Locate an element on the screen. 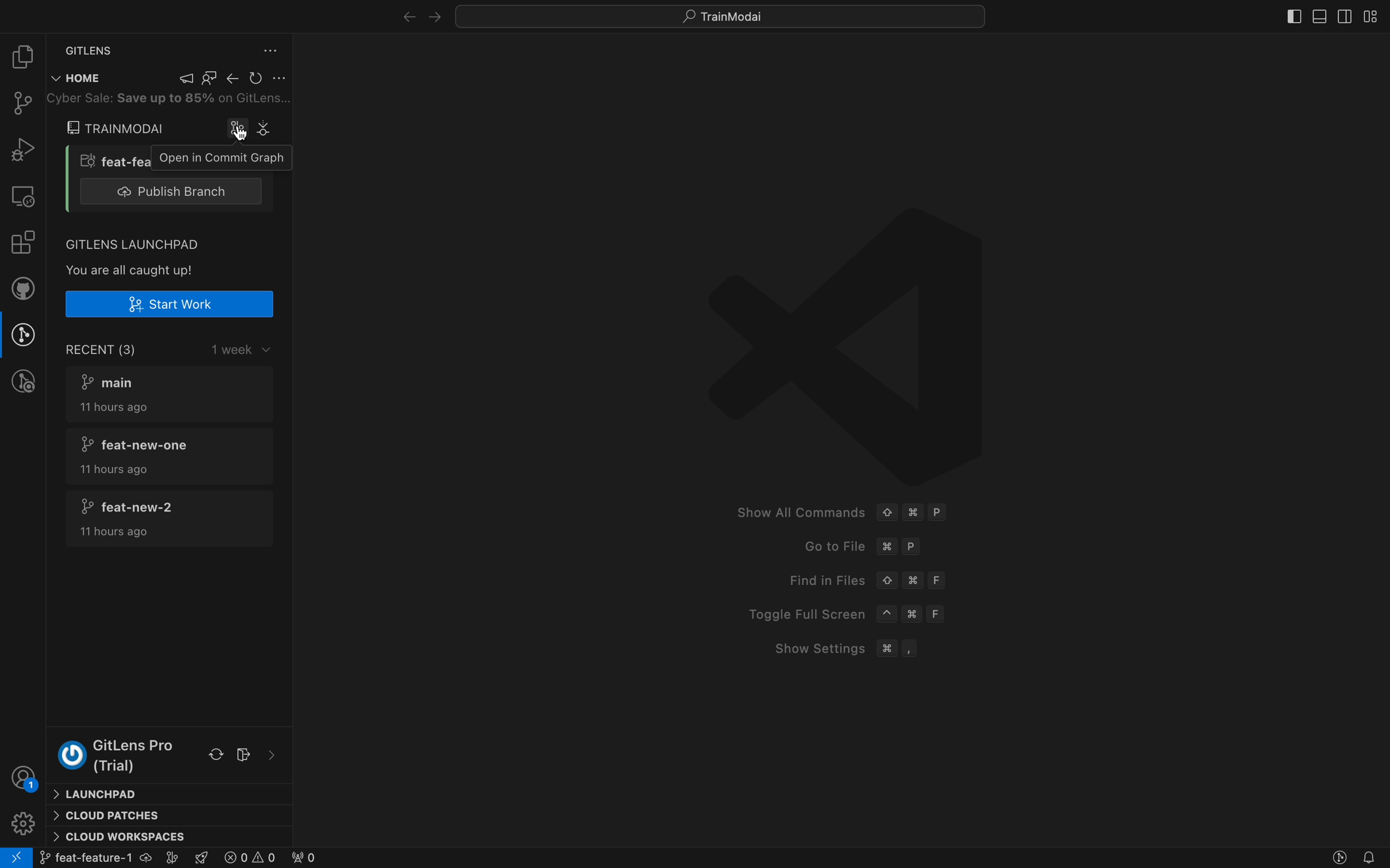  file explorer  is located at coordinates (21, 55).